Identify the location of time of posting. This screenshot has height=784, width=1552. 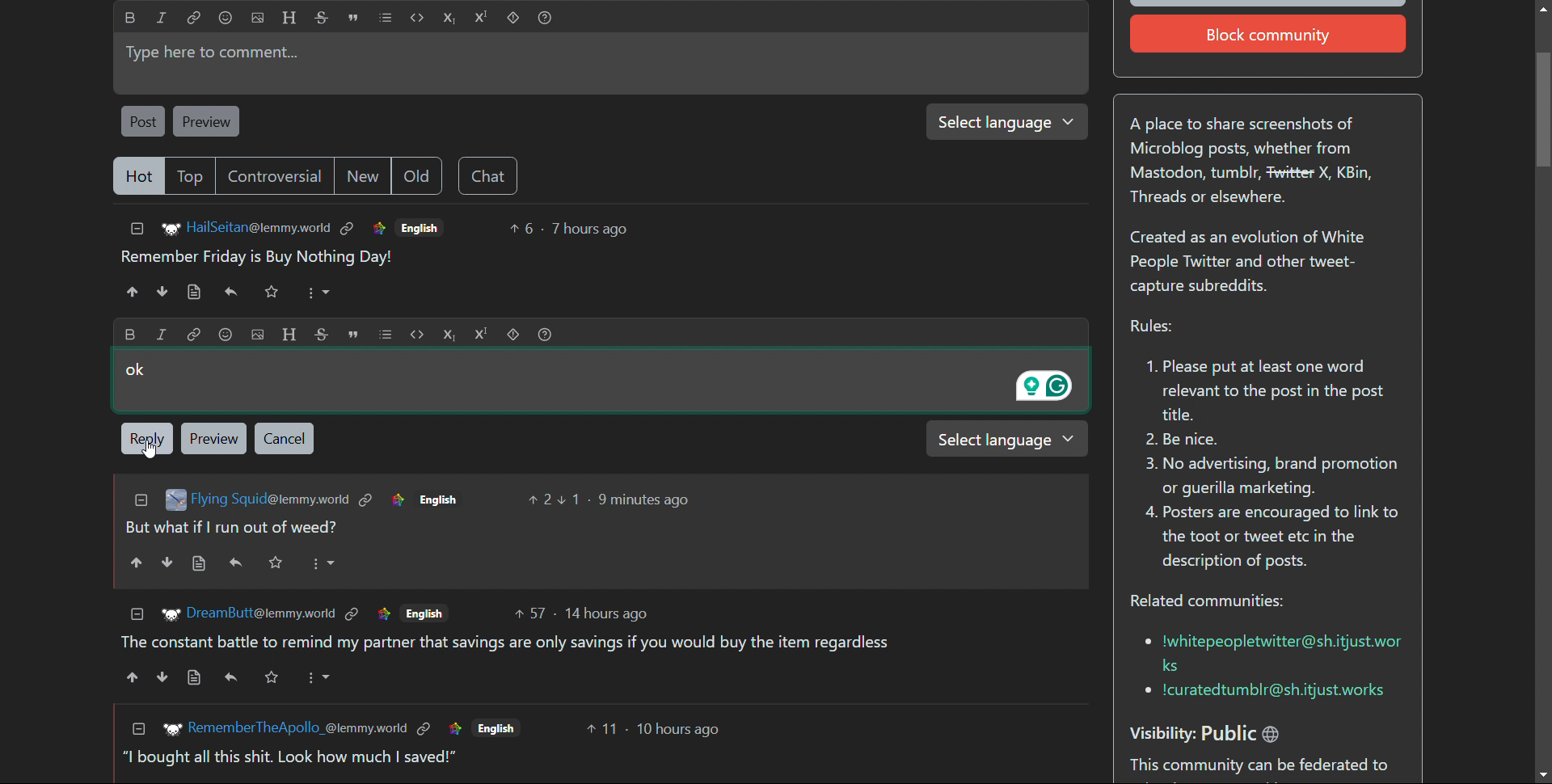
(589, 229).